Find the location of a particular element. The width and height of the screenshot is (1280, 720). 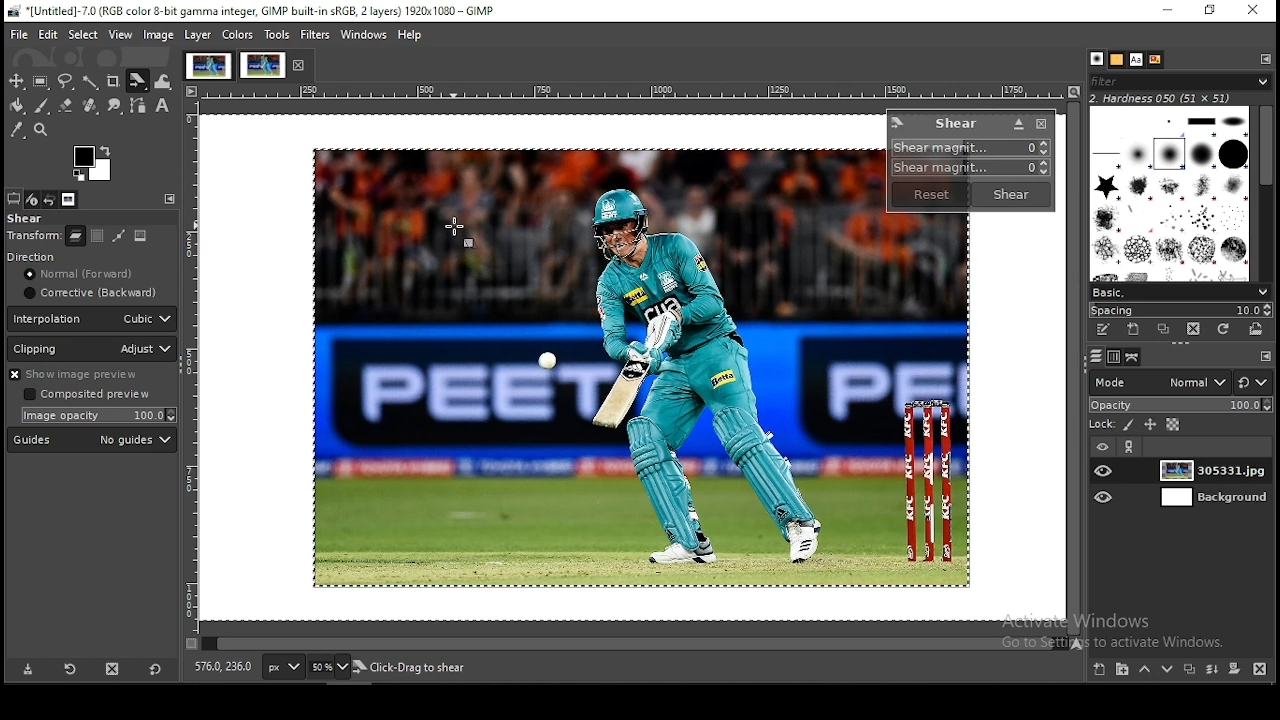

view is located at coordinates (120, 35).